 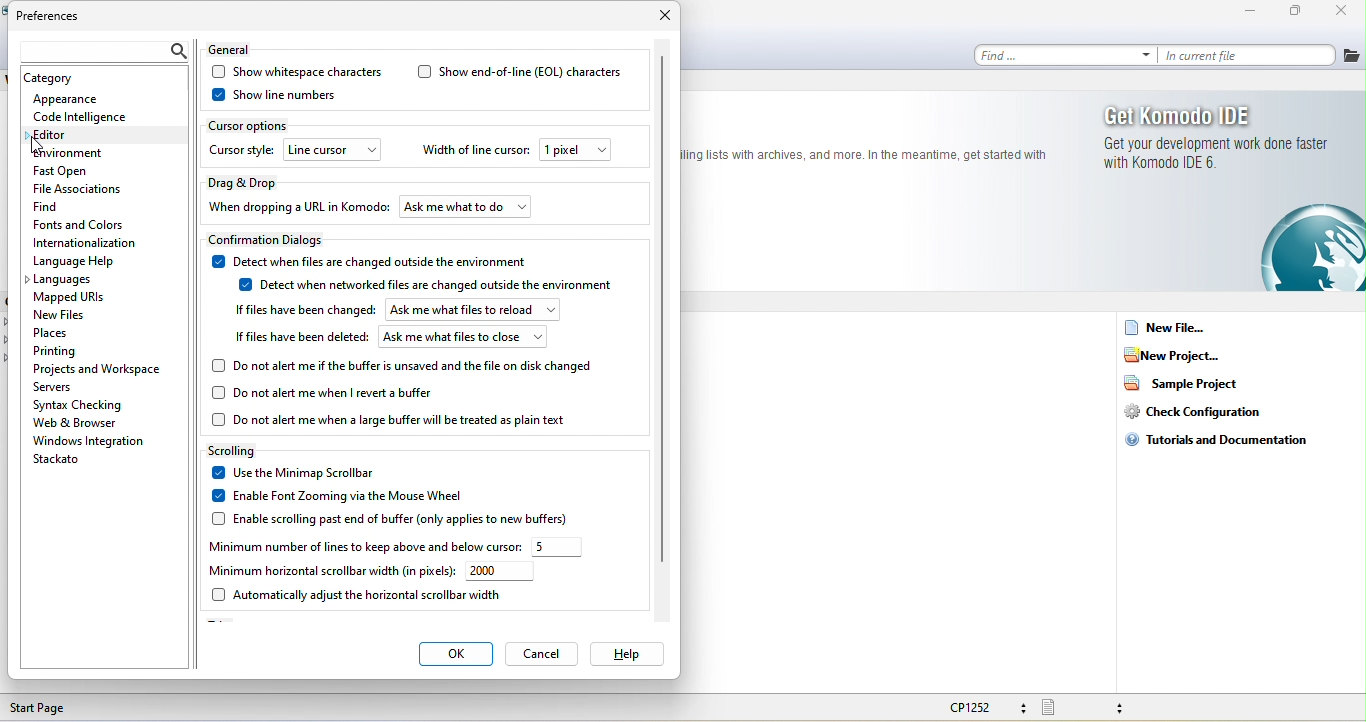 What do you see at coordinates (401, 518) in the screenshot?
I see `enable scrolling past end of buffer` at bounding box center [401, 518].